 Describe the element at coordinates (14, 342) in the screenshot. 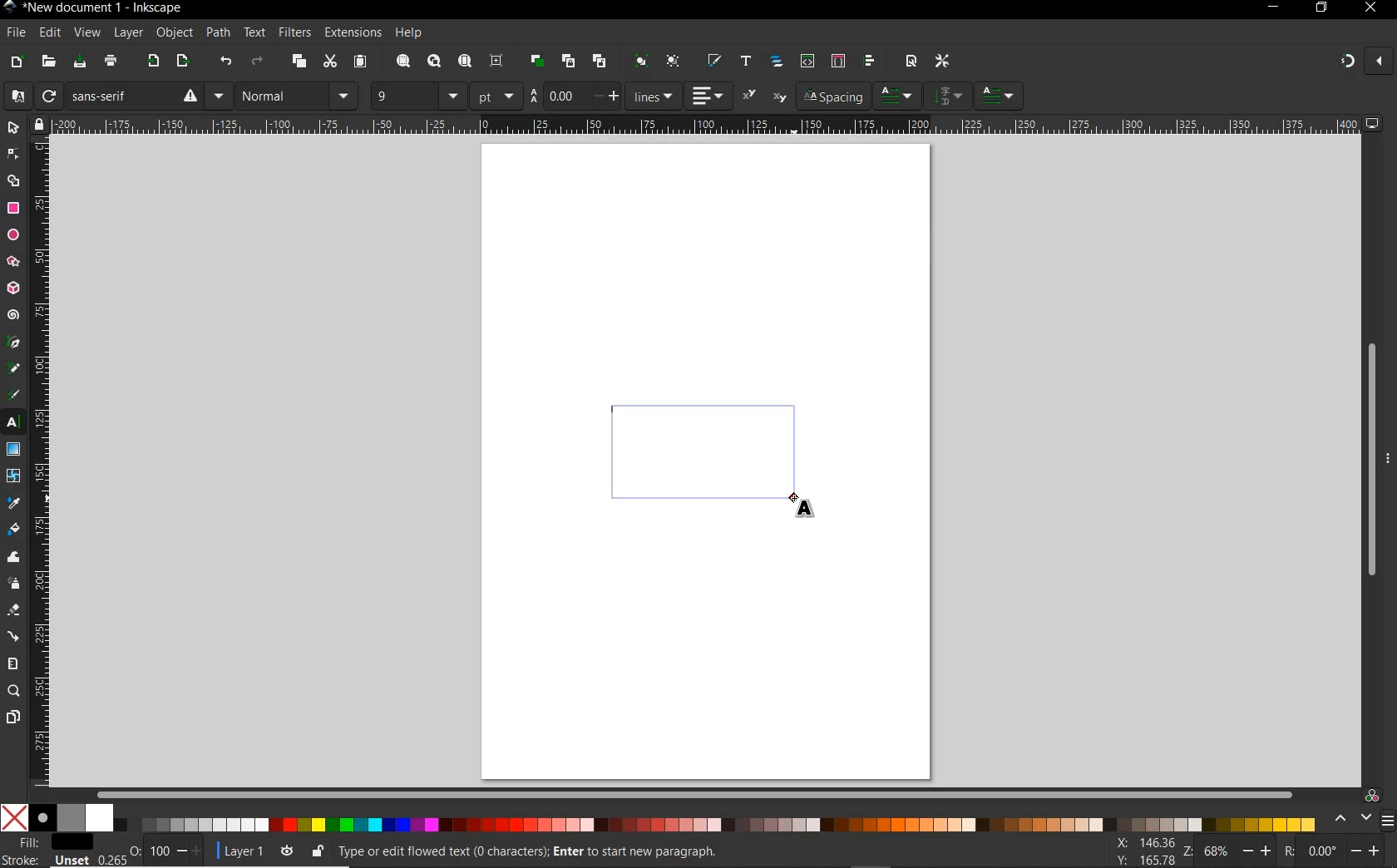

I see `pen tool` at that location.